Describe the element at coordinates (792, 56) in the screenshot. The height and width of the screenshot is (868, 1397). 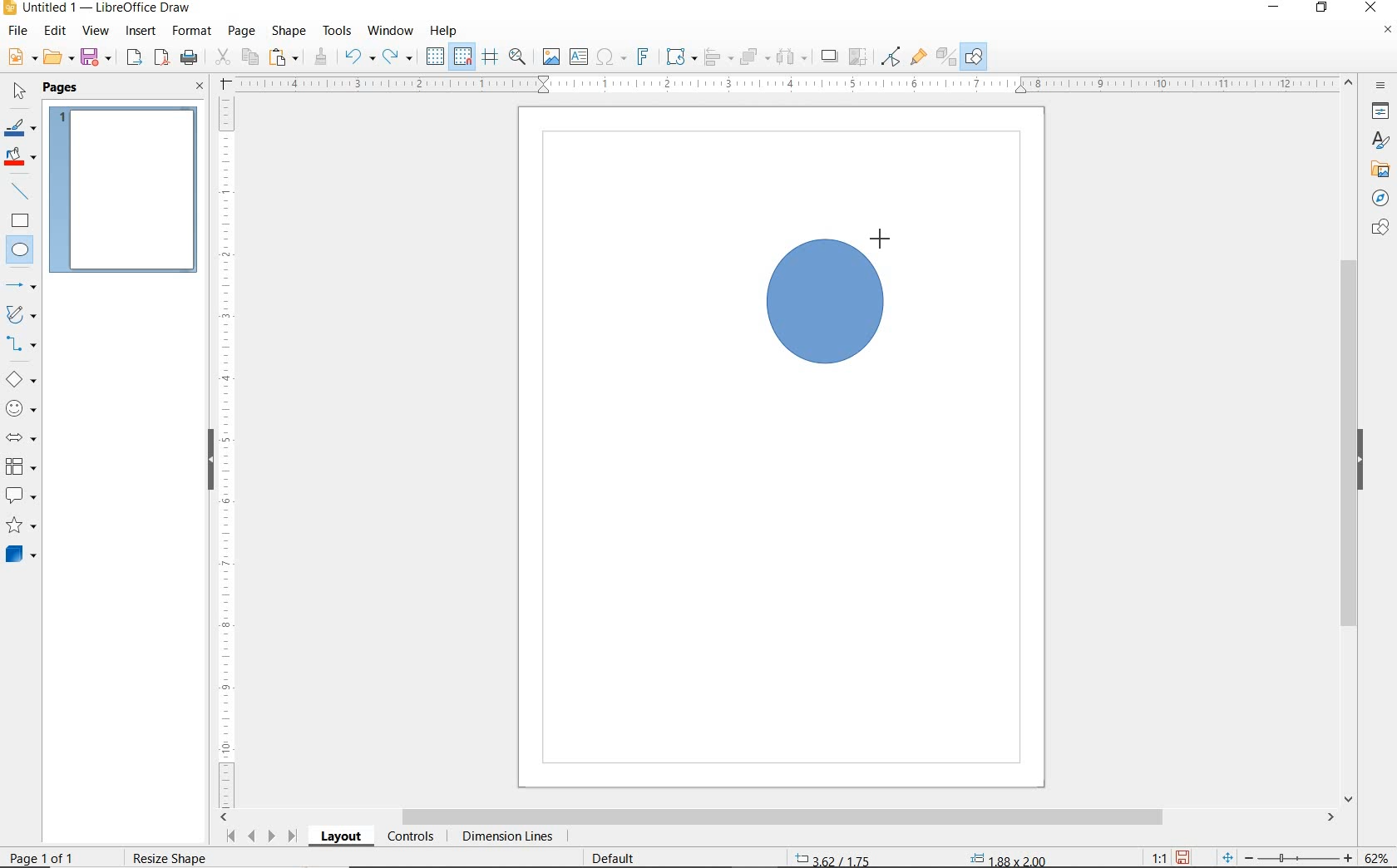
I see `SELECT AT LEAST 3 OBJECTS TO DISTRIBUTE` at that location.